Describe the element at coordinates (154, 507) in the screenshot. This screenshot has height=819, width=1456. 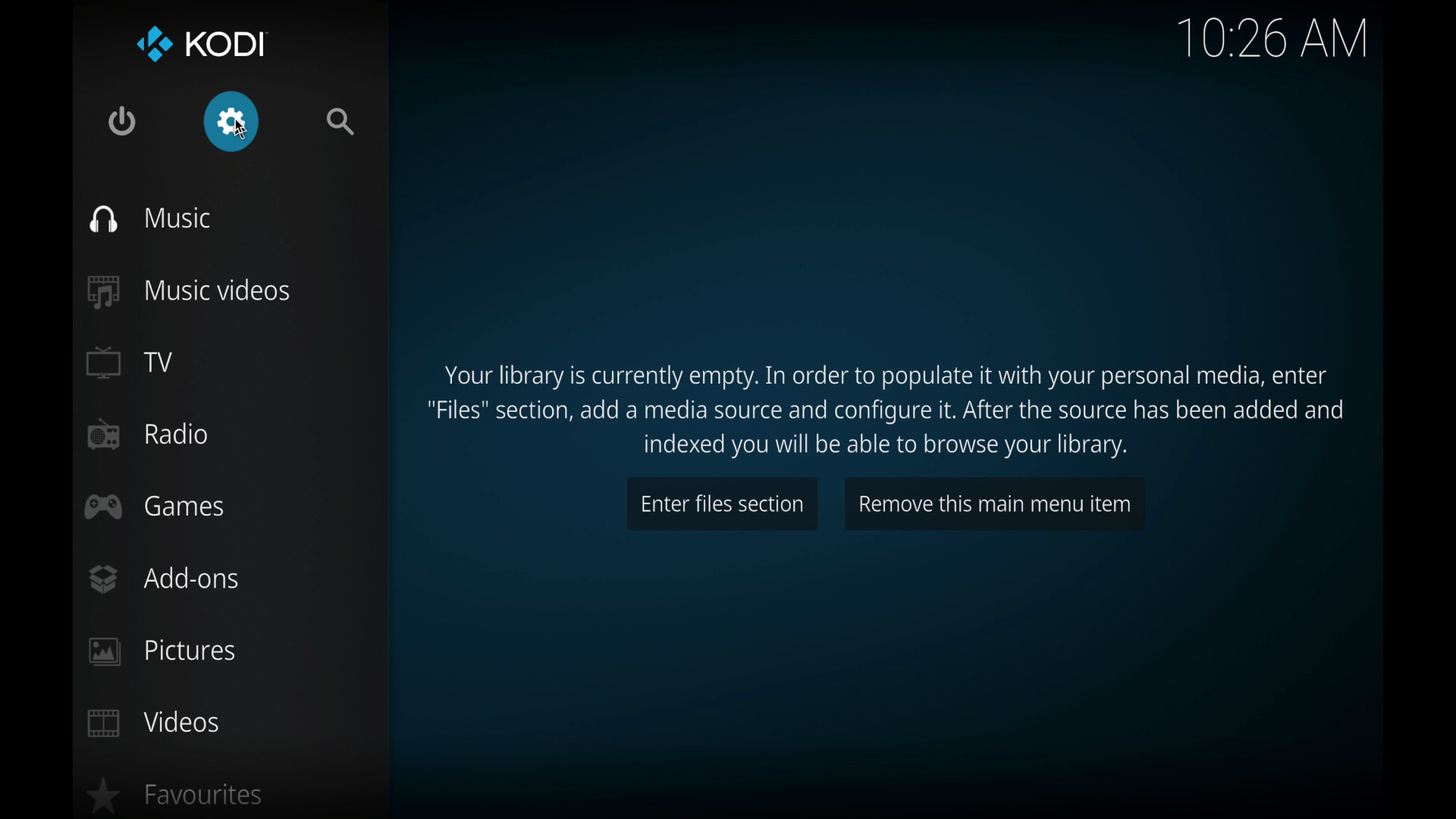
I see `games` at that location.